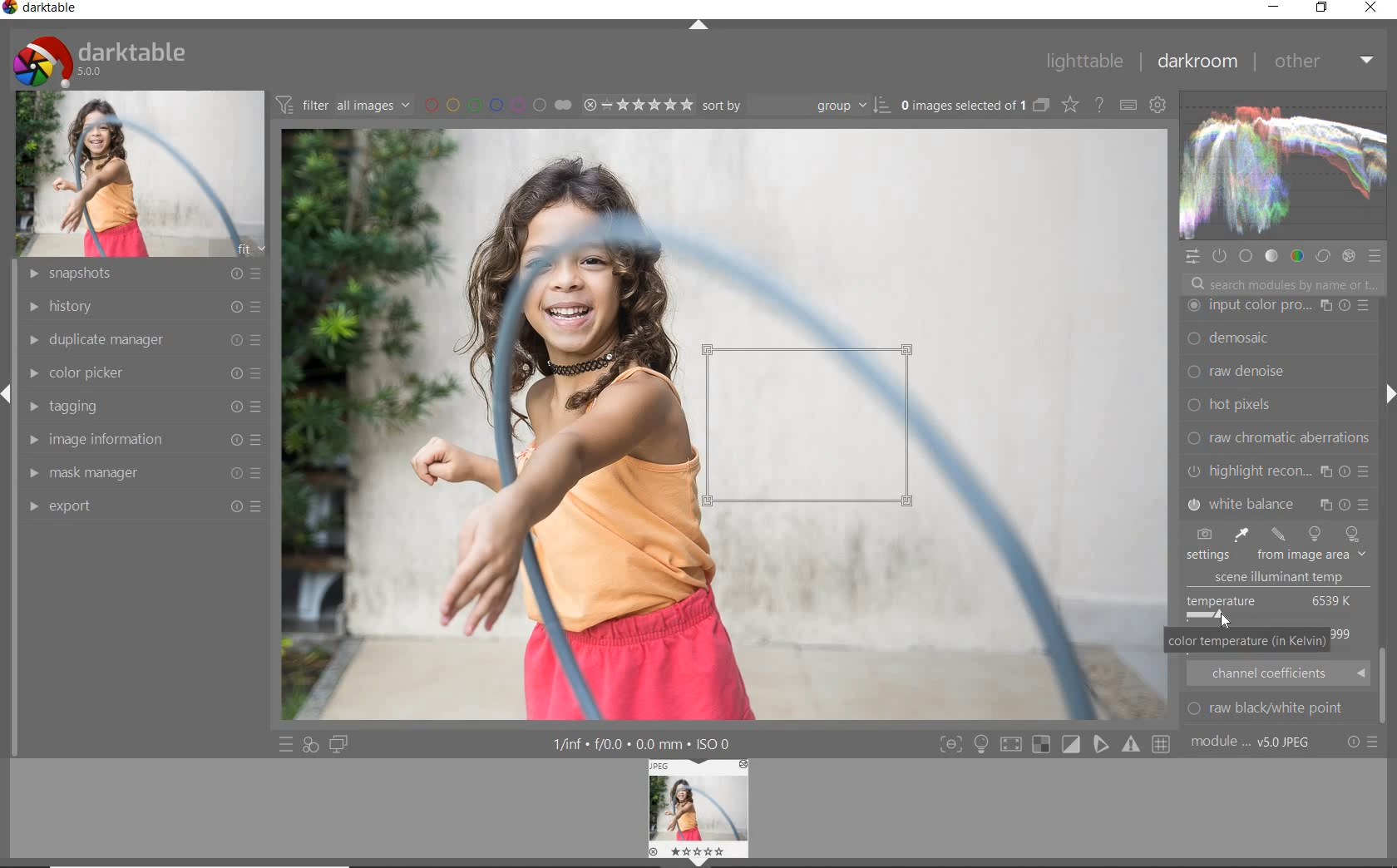 Image resolution: width=1397 pixels, height=868 pixels. What do you see at coordinates (310, 746) in the screenshot?
I see `quick access for applying any of your styles` at bounding box center [310, 746].